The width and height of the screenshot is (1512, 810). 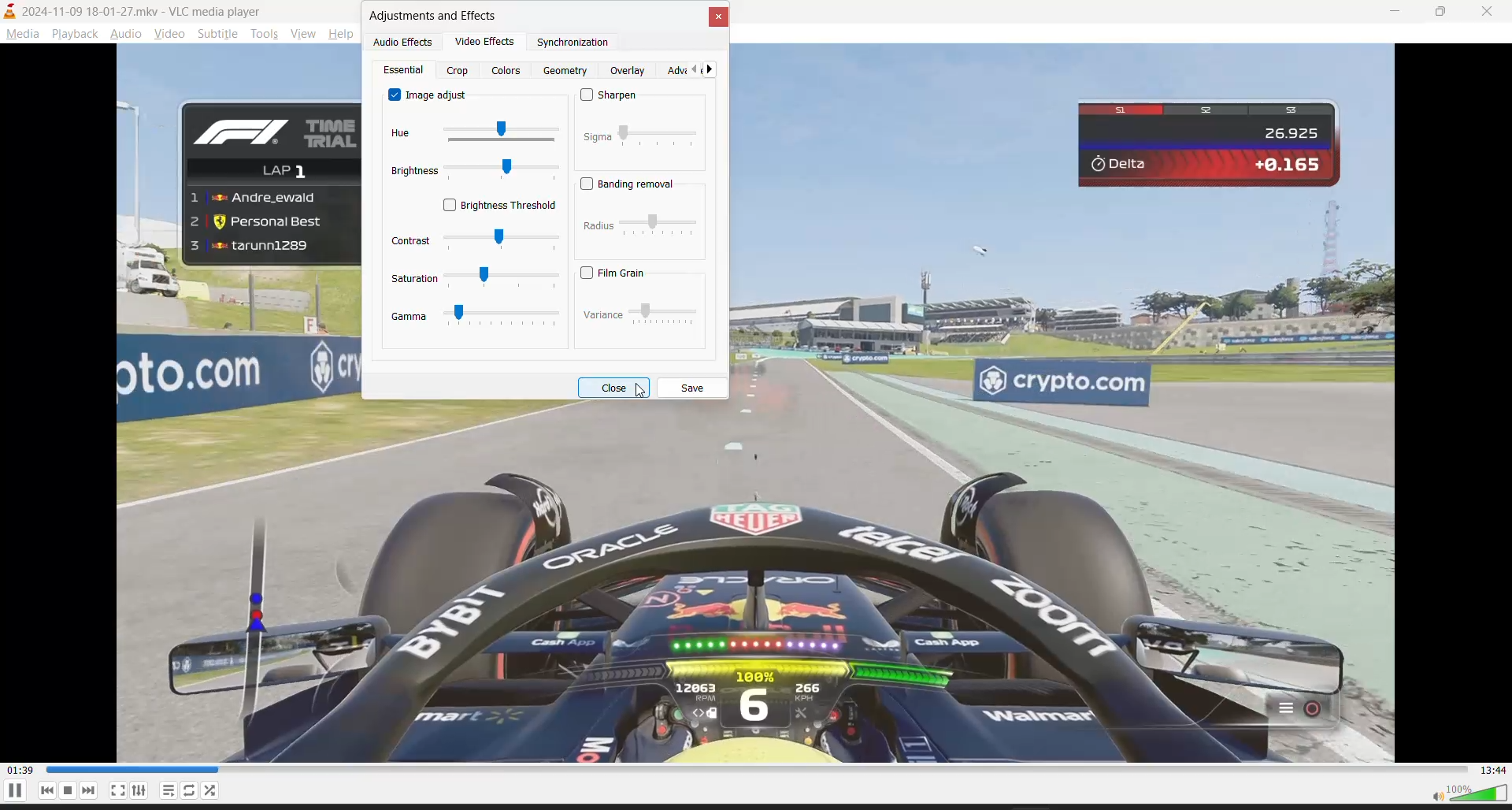 I want to click on next, so click(x=89, y=790).